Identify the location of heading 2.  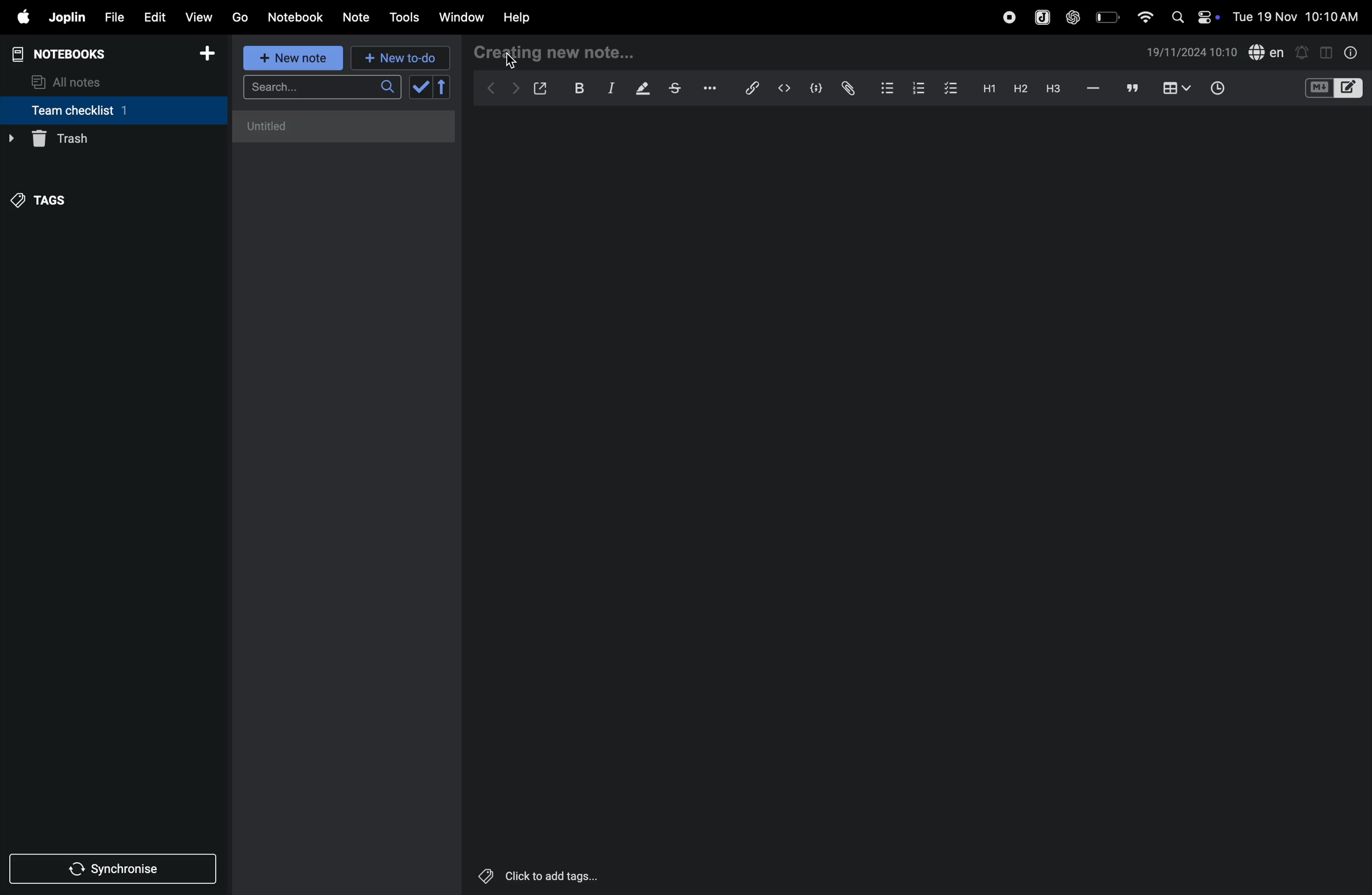
(986, 88).